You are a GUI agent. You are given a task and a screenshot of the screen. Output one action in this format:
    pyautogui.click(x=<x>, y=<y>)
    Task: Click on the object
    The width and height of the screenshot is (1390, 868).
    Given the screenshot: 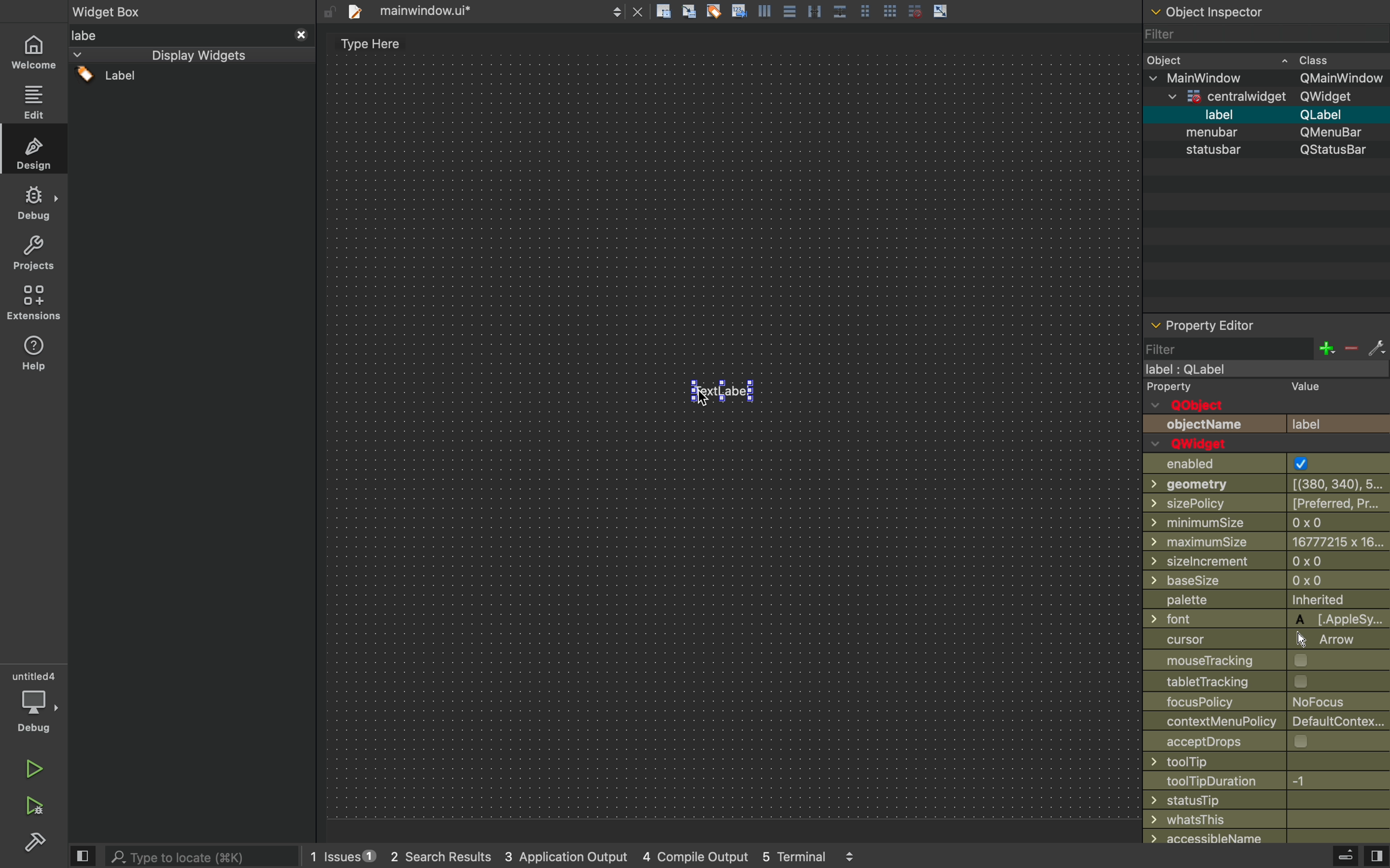 What is the action you would take?
    pyautogui.click(x=1265, y=59)
    